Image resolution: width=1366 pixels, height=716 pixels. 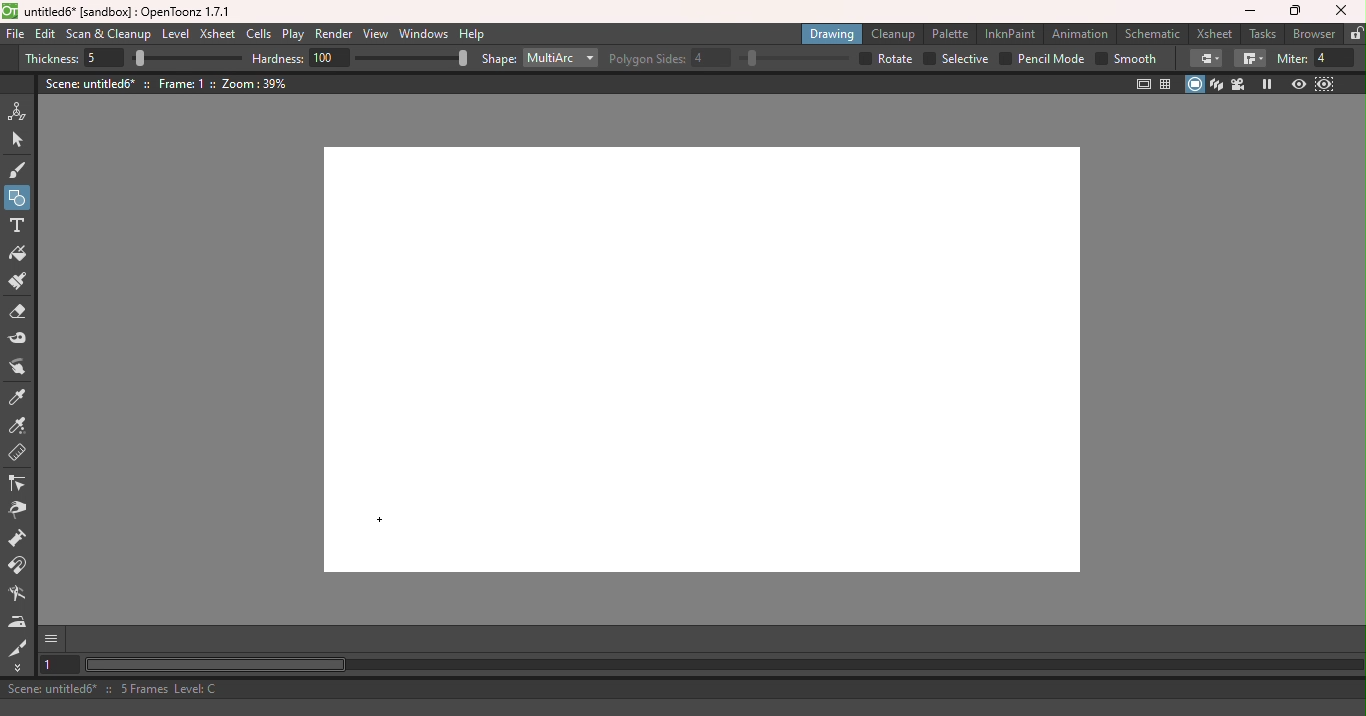 What do you see at coordinates (376, 34) in the screenshot?
I see `View` at bounding box center [376, 34].